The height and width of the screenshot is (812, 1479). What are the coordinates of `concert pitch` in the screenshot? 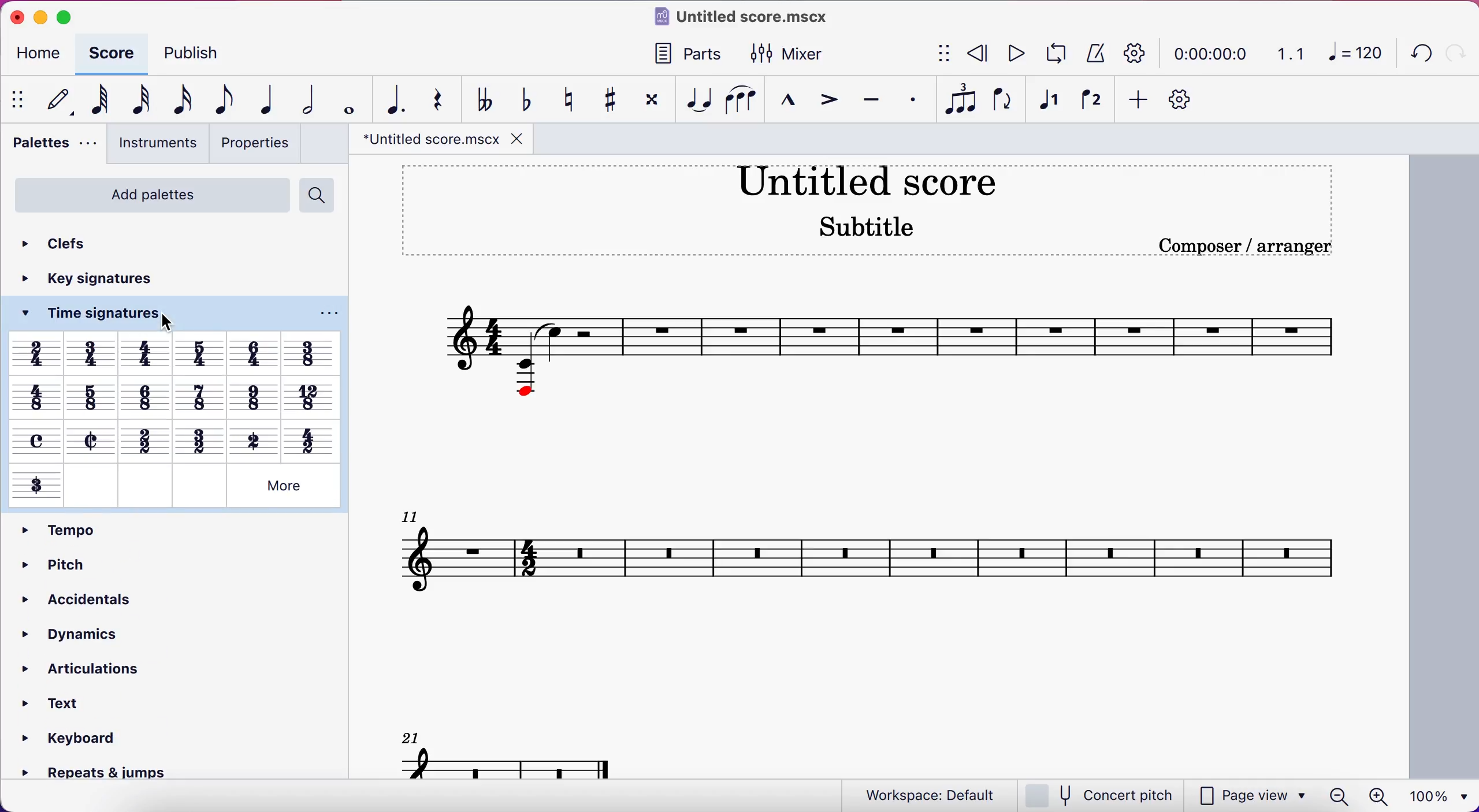 It's located at (1101, 795).